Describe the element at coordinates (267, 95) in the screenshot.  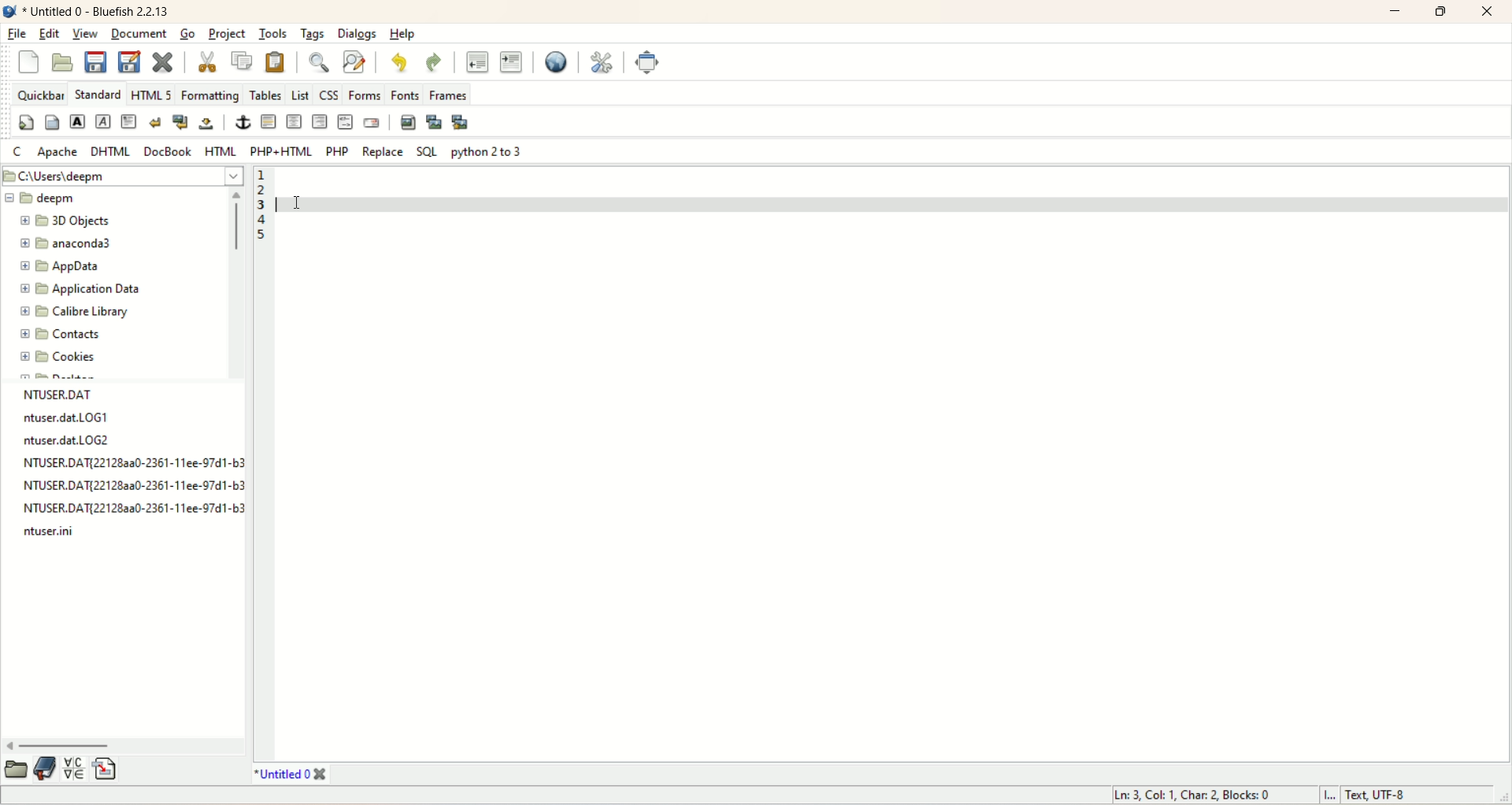
I see `tables` at that location.